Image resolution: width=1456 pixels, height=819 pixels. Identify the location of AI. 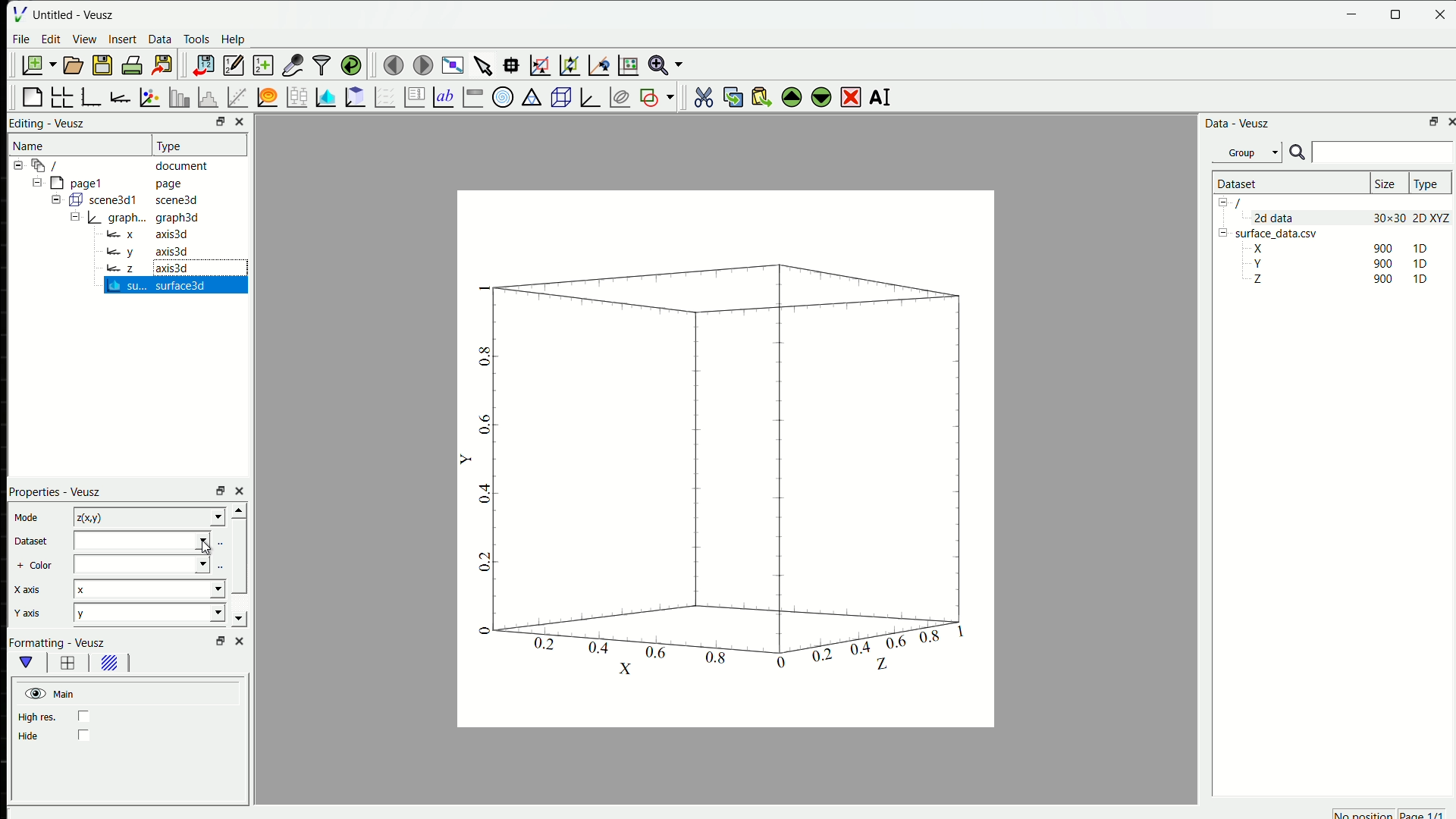
(880, 98).